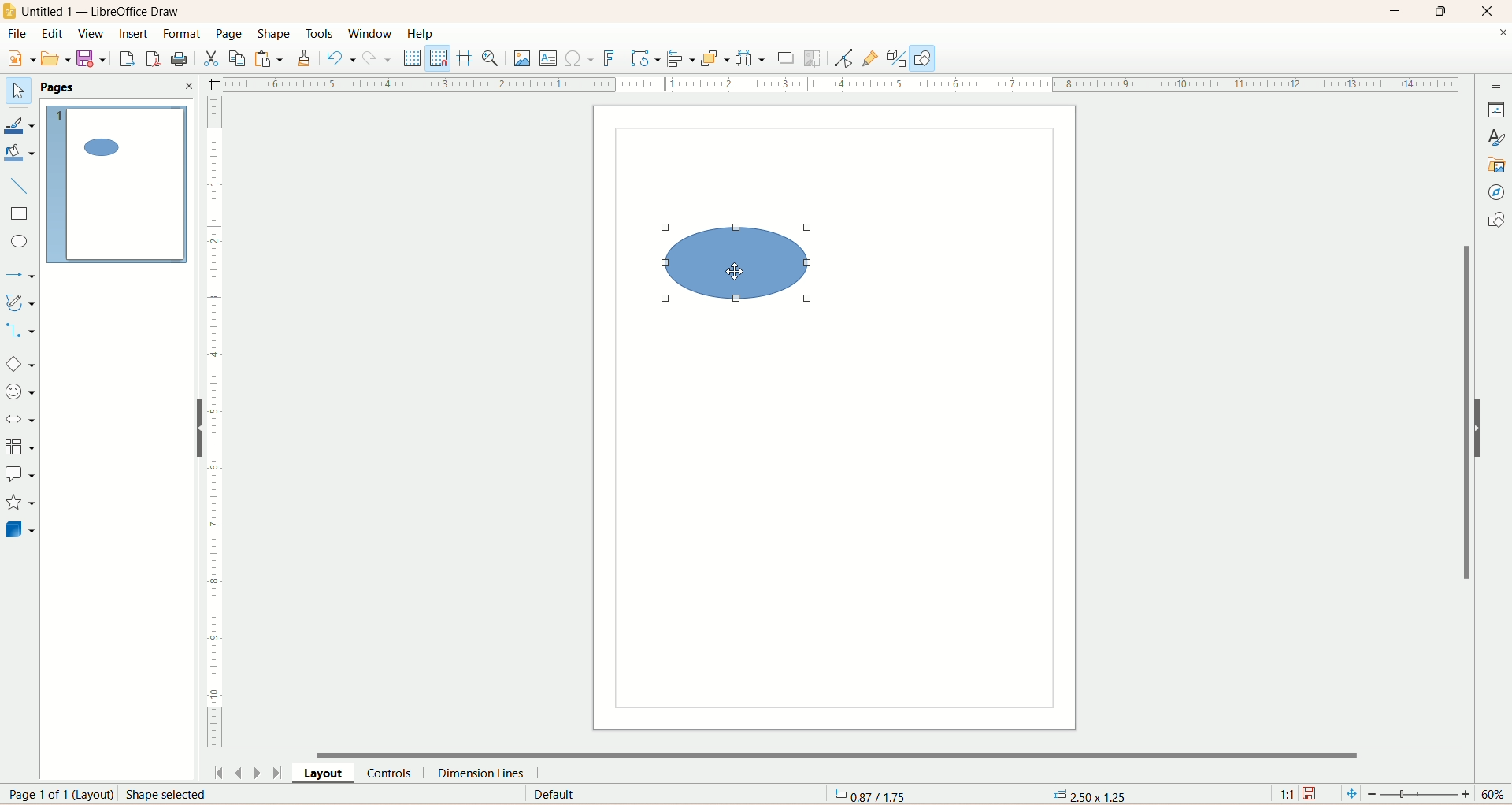 The height and width of the screenshot is (805, 1512). I want to click on scale bar, so click(215, 423).